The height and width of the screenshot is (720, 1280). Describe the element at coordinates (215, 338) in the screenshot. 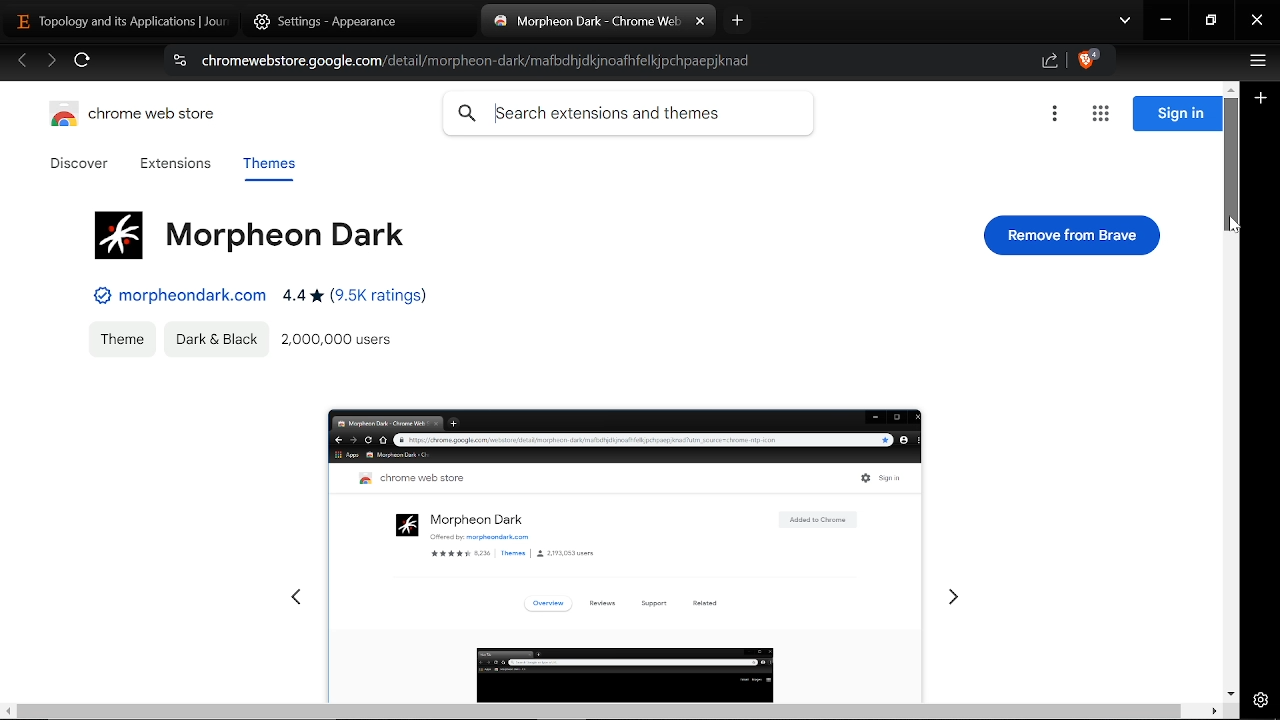

I see `Apearences` at that location.